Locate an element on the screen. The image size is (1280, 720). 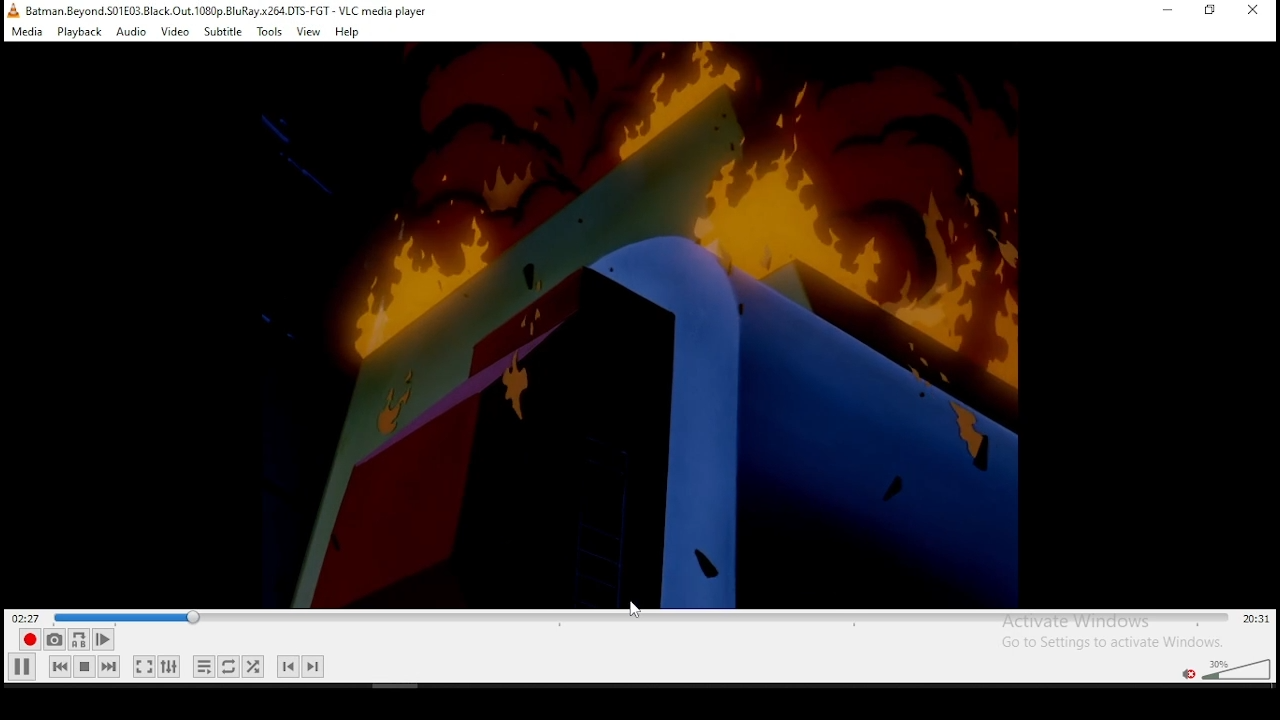
next track in playlist. Skips forward when held is located at coordinates (108, 666).